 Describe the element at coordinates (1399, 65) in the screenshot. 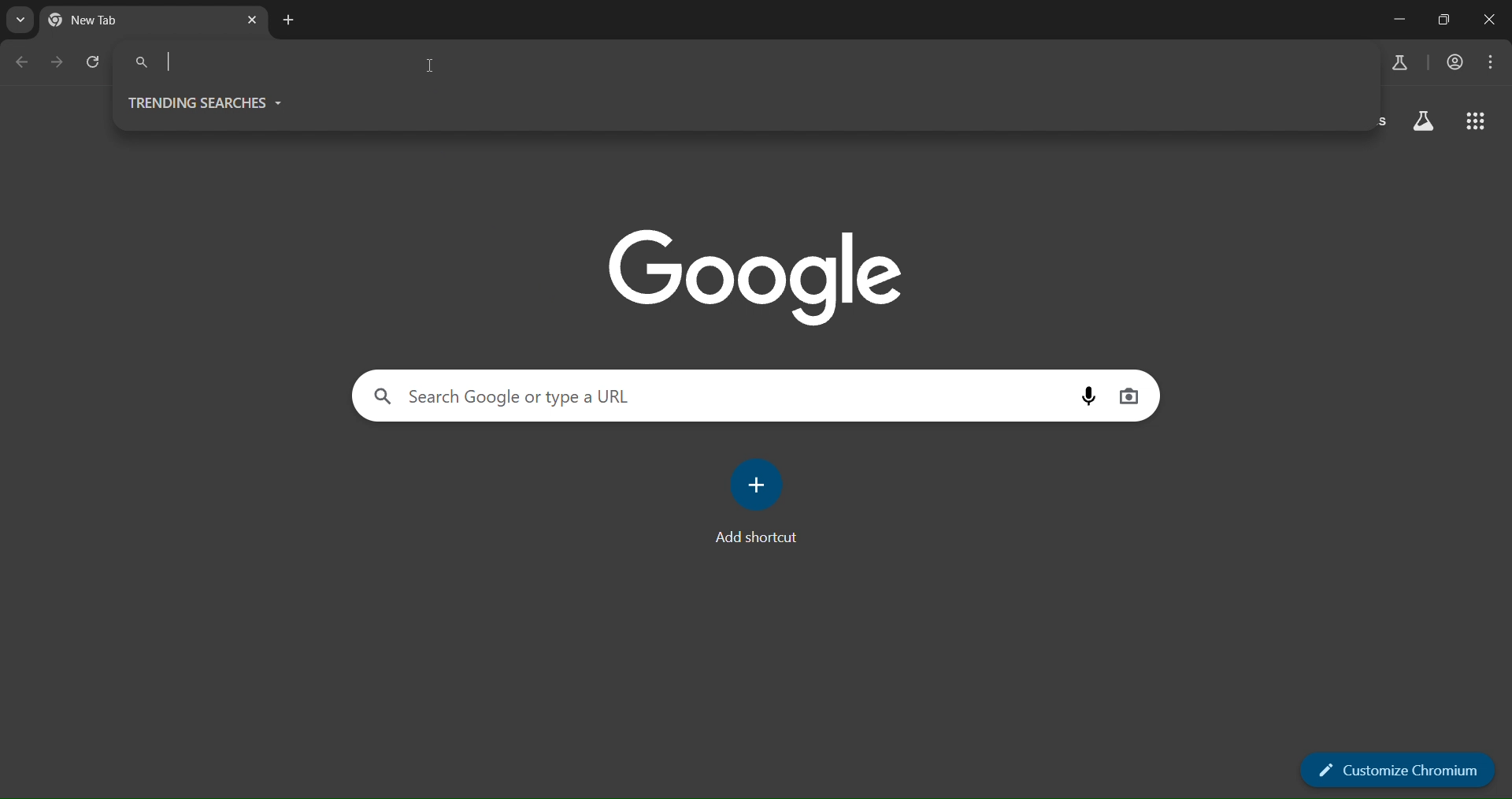

I see `search labs` at that location.